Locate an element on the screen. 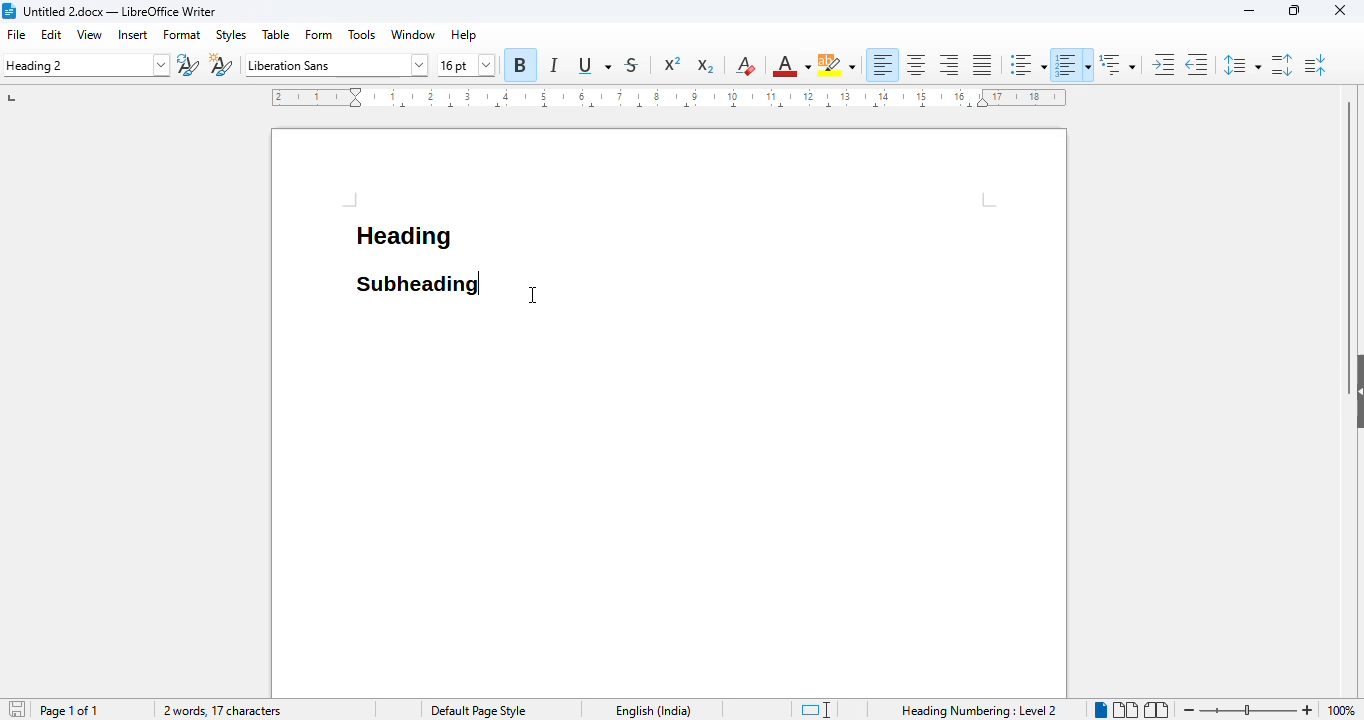 This screenshot has width=1364, height=720. 2 words, 17 characters is located at coordinates (223, 711).